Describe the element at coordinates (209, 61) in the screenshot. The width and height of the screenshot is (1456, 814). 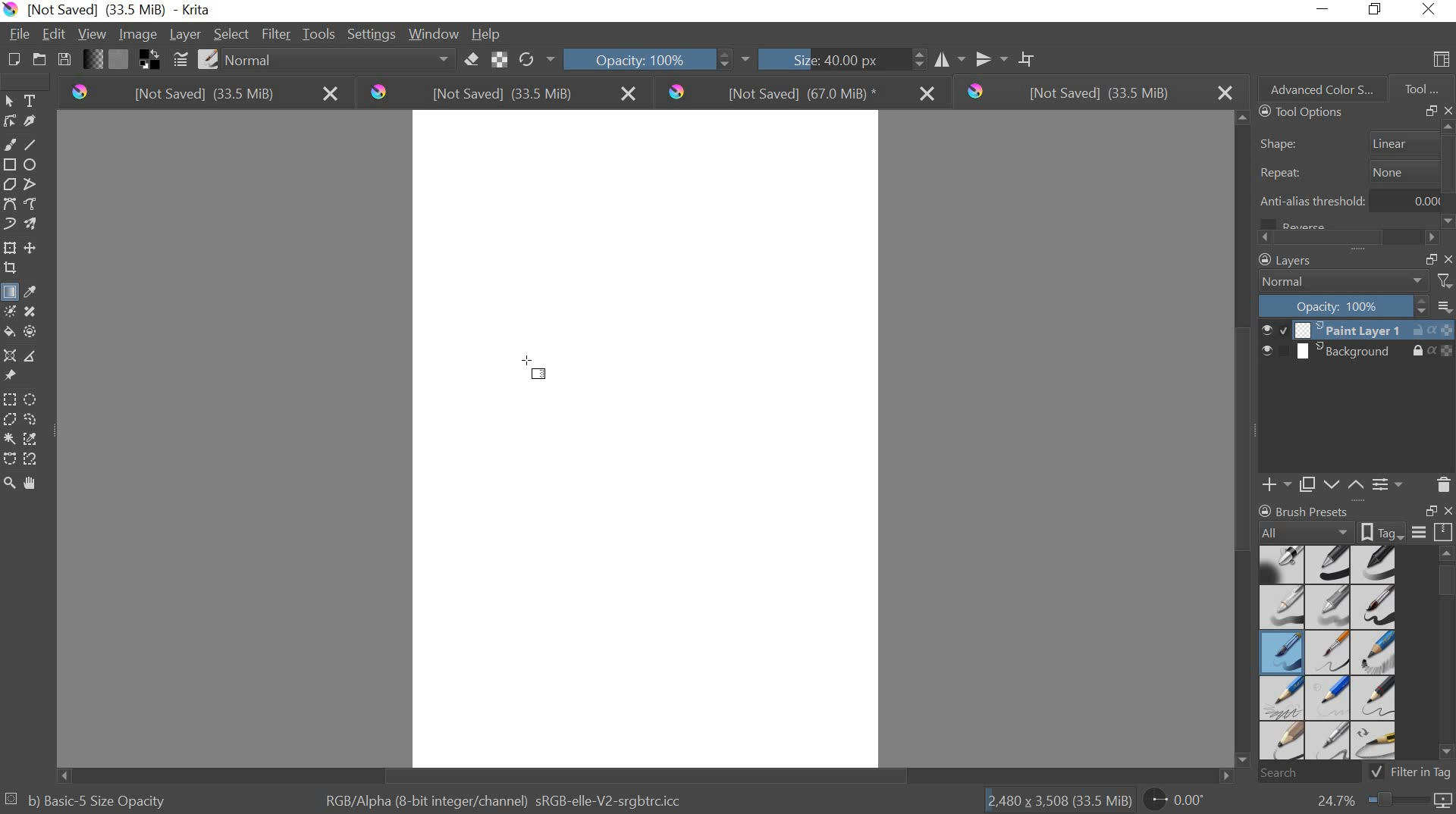
I see `CHOOSE BRUSH PRESET` at that location.